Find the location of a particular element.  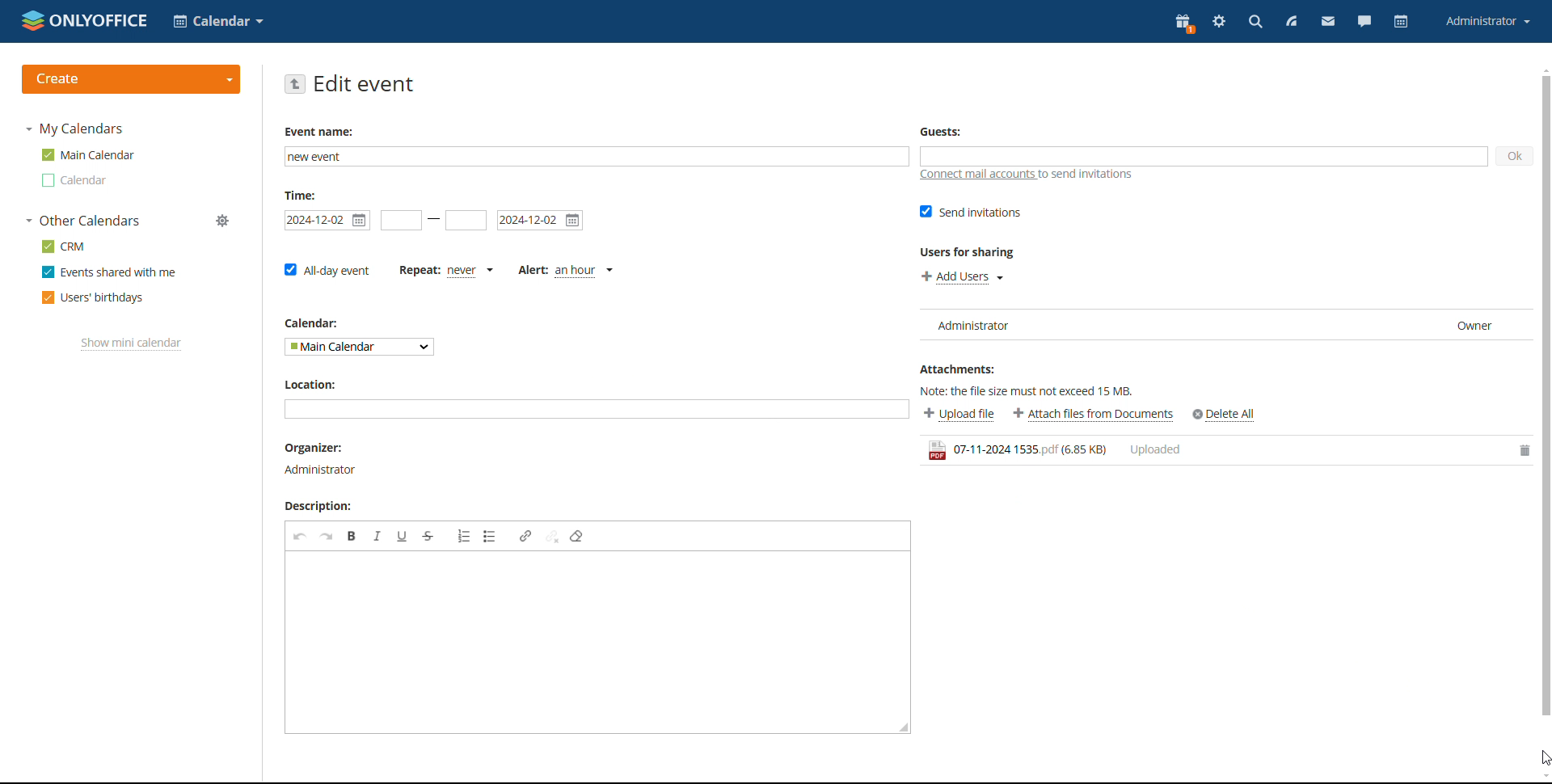

start date is located at coordinates (327, 221).